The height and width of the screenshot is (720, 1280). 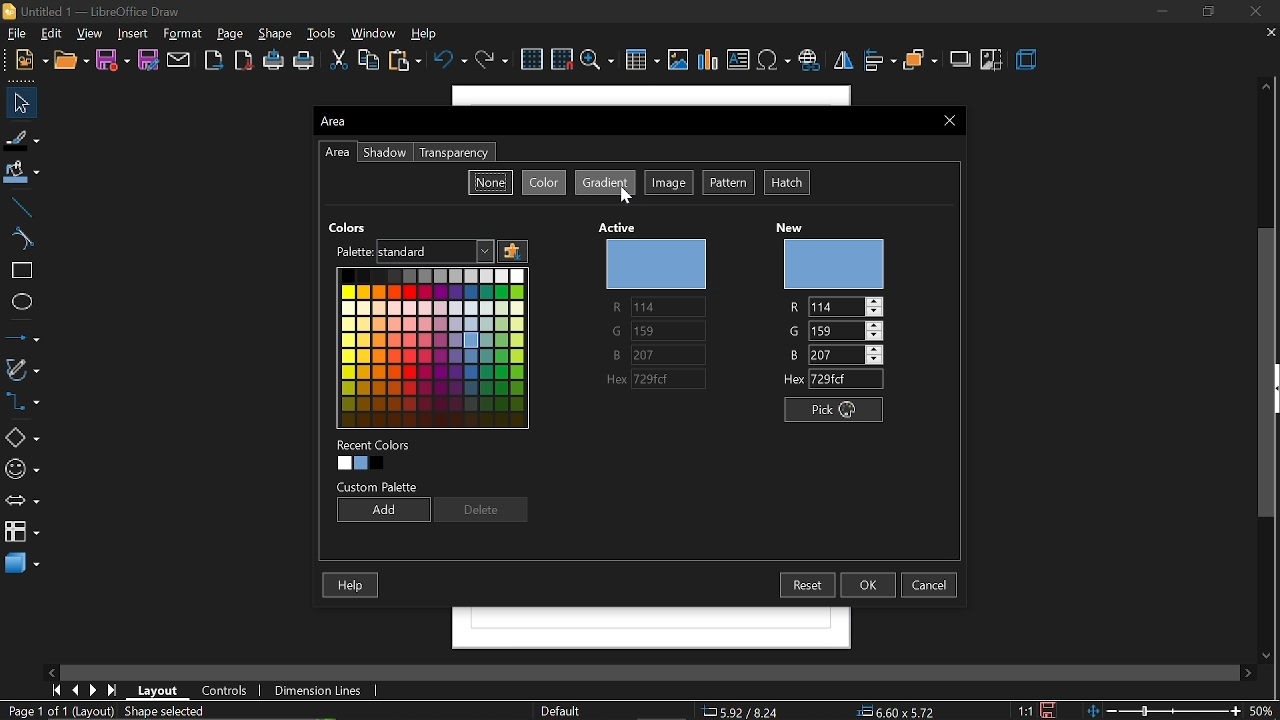 I want to click on pick, so click(x=835, y=410).